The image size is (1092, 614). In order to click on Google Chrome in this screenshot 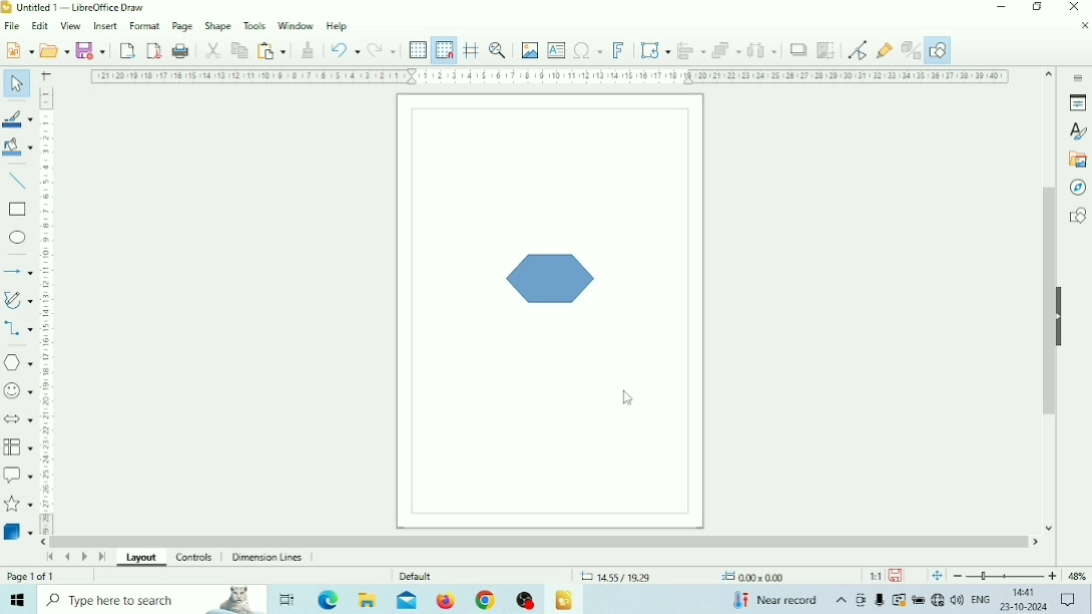, I will do `click(484, 600)`.